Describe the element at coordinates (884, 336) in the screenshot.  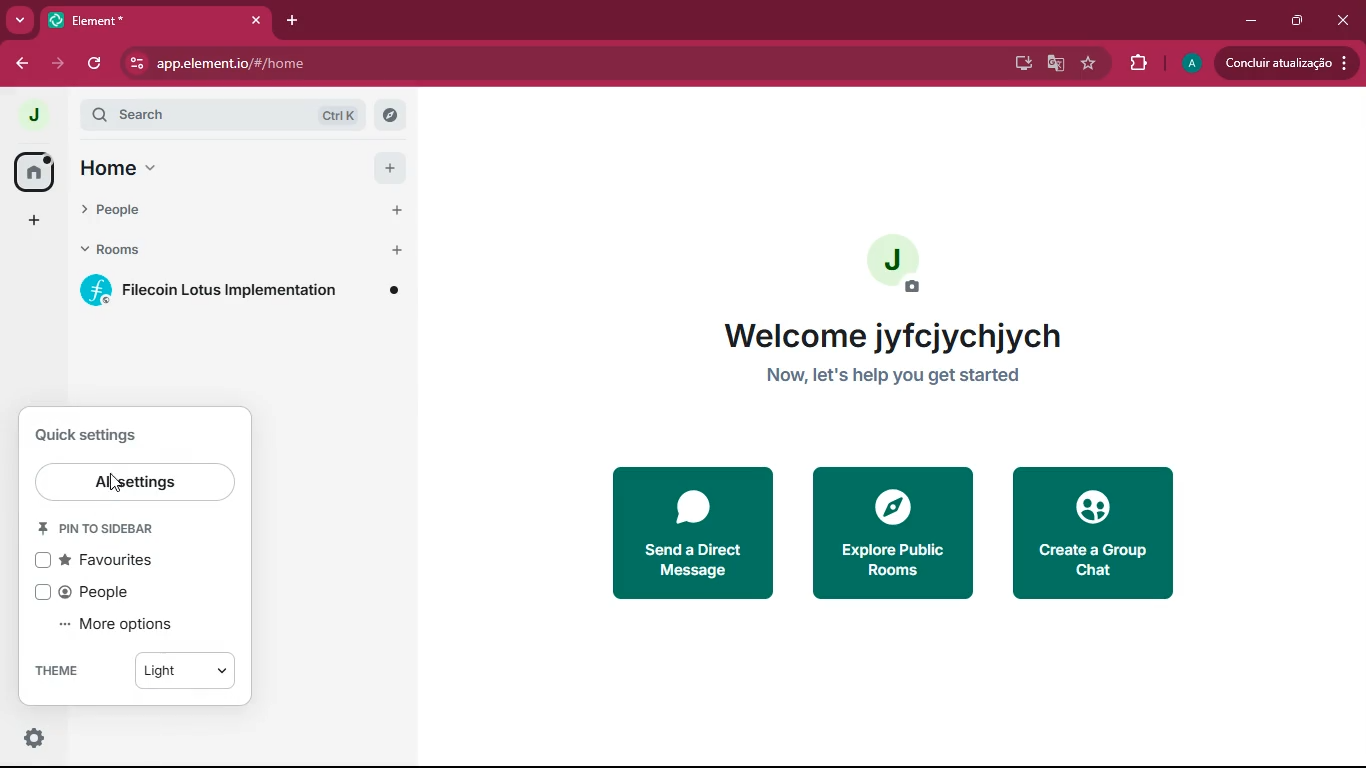
I see `welcome jyfcjychjych` at that location.